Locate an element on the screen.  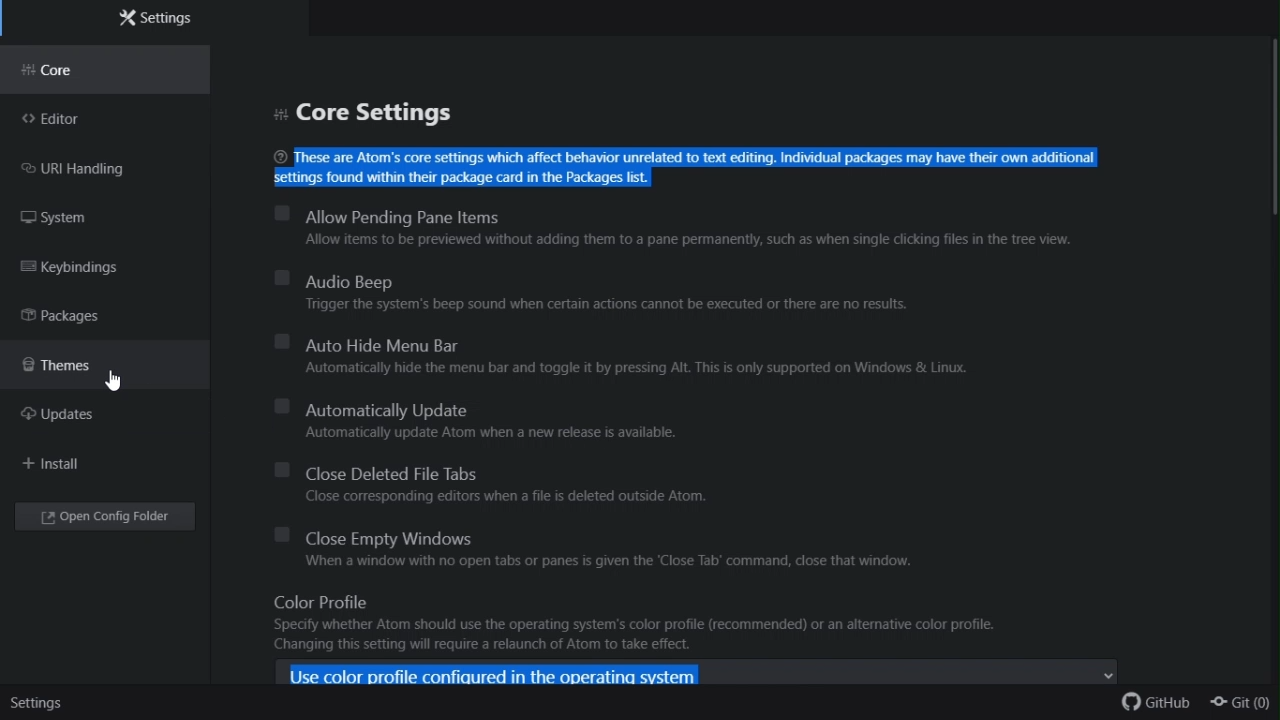
These are Atom’s core settings which affect behavior unrelated to text editing. Individual packages may have their own additional settings found within their package card in the Packages list. is located at coordinates (682, 166).